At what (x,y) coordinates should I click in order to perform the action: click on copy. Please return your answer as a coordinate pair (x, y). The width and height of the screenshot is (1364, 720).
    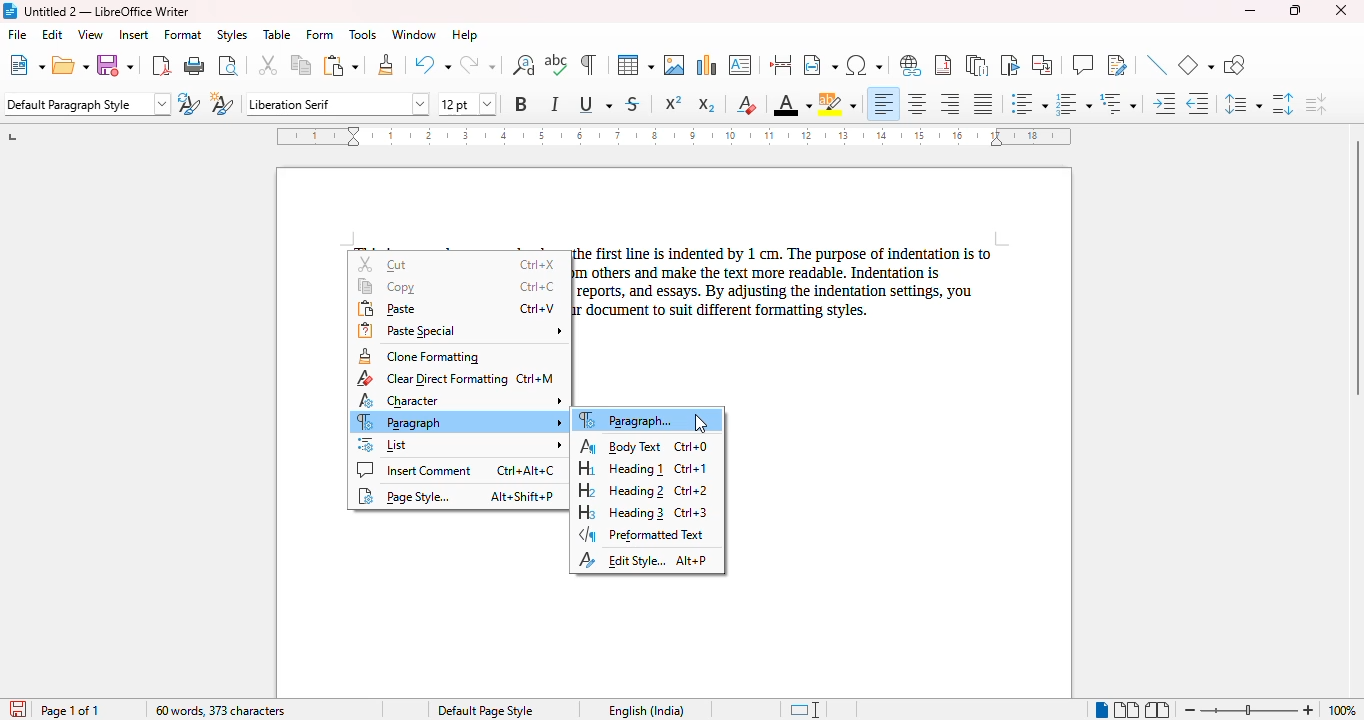
    Looking at the image, I should click on (302, 65).